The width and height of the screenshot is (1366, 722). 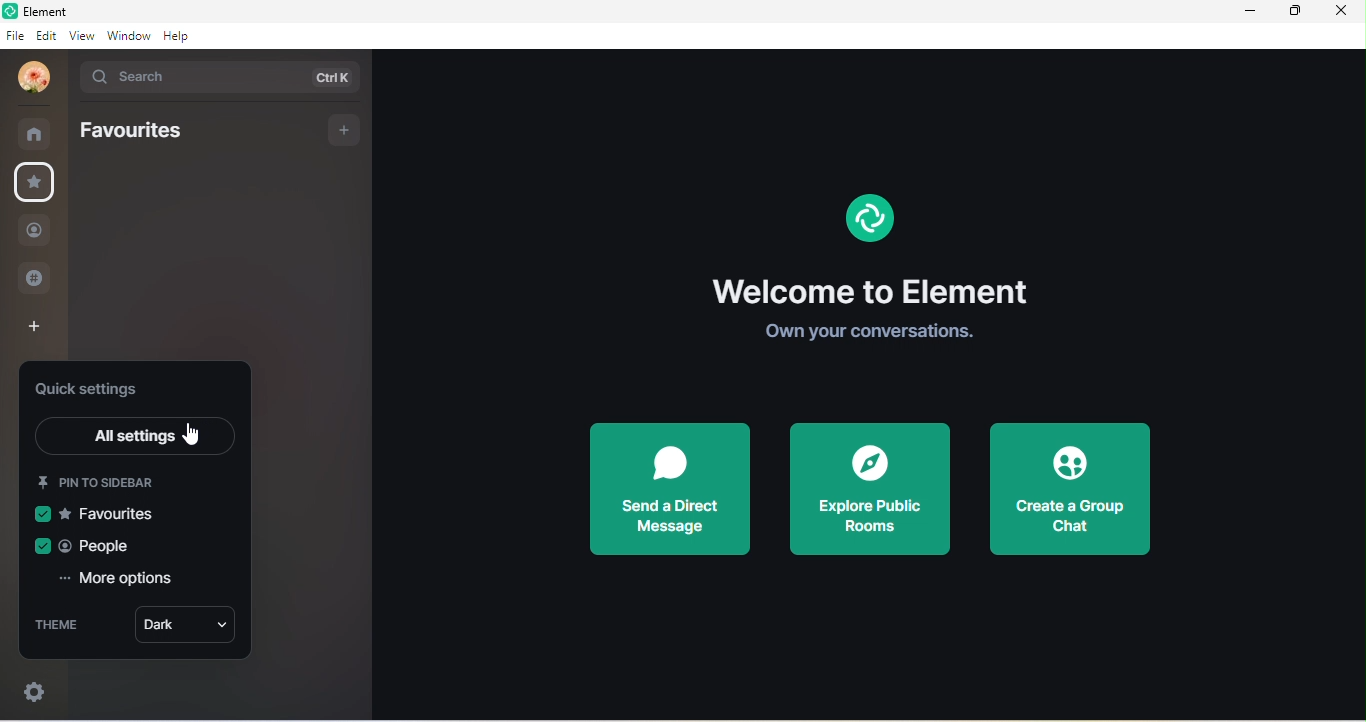 I want to click on file, so click(x=15, y=36).